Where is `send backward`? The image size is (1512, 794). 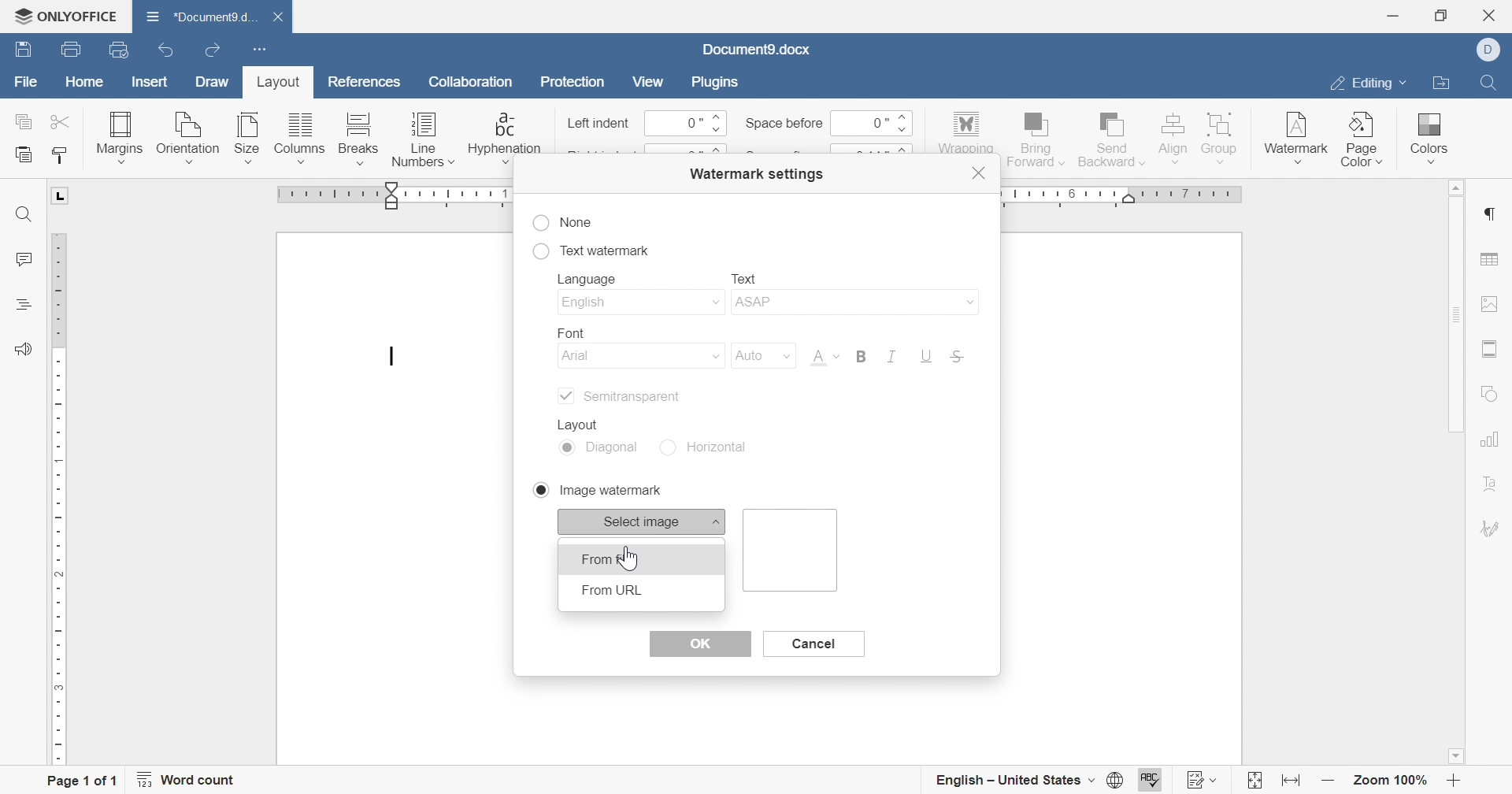
send backward is located at coordinates (1113, 137).